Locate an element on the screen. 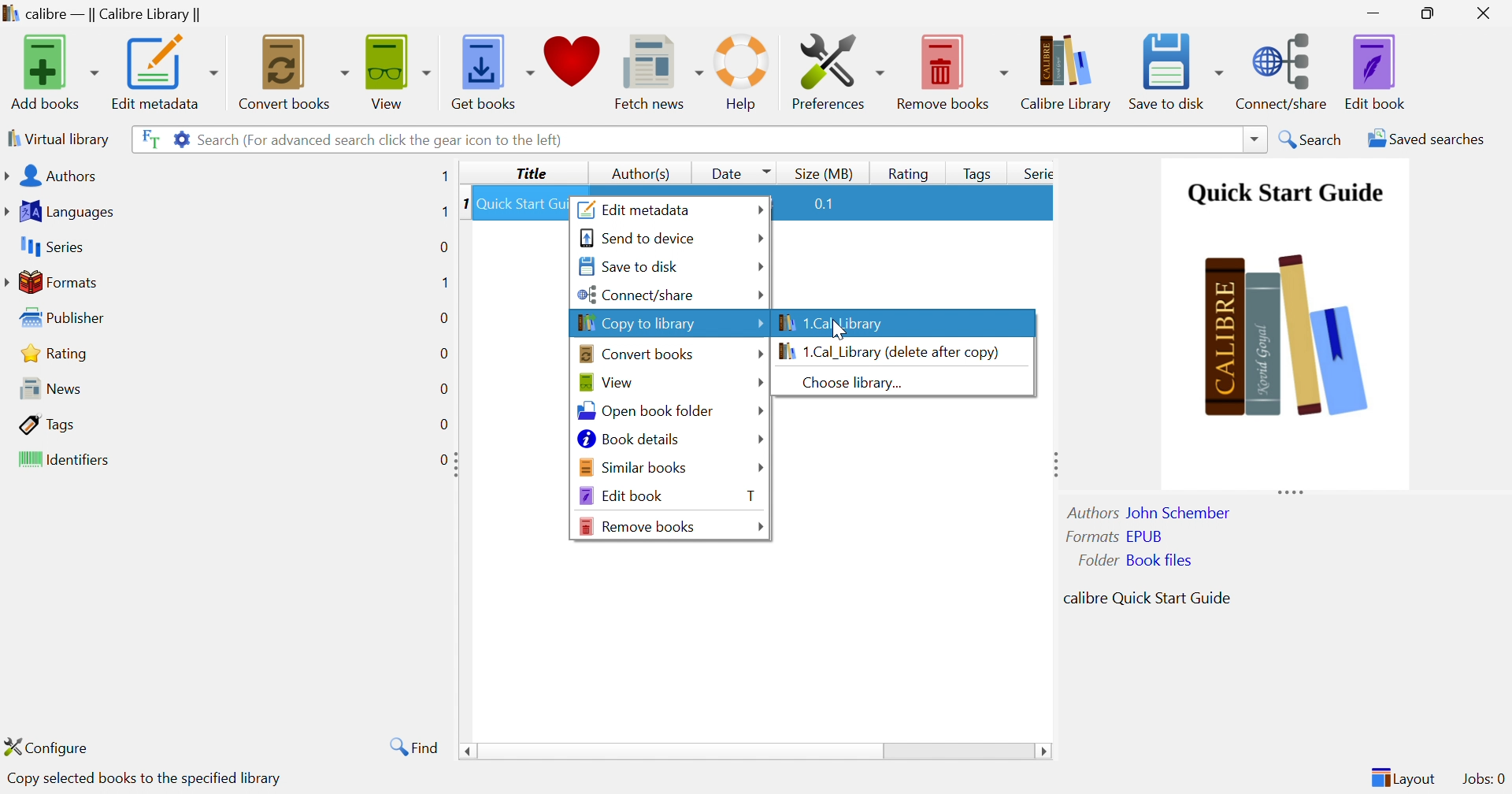  View is located at coordinates (602, 380).